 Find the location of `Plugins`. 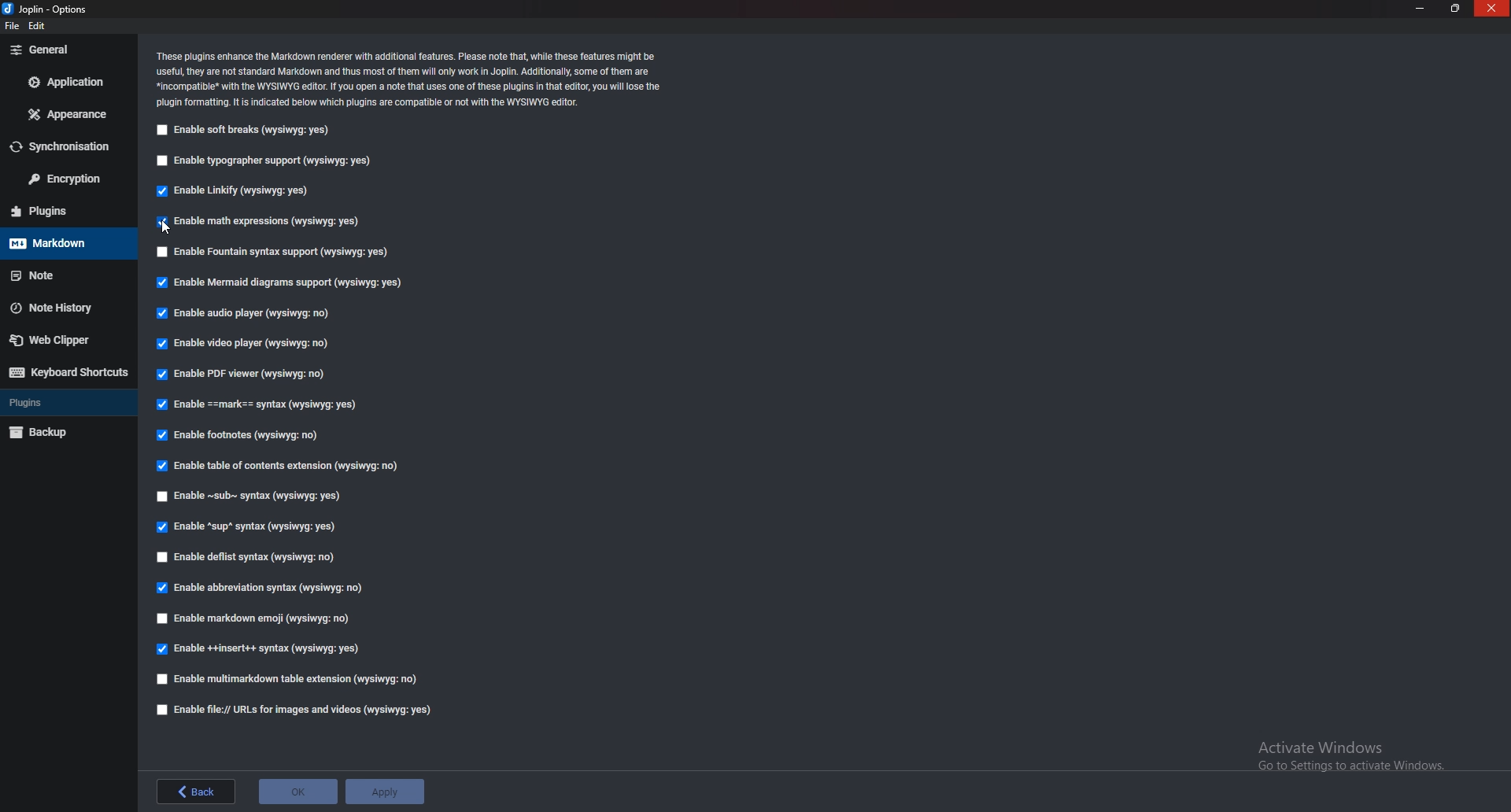

Plugins is located at coordinates (65, 403).